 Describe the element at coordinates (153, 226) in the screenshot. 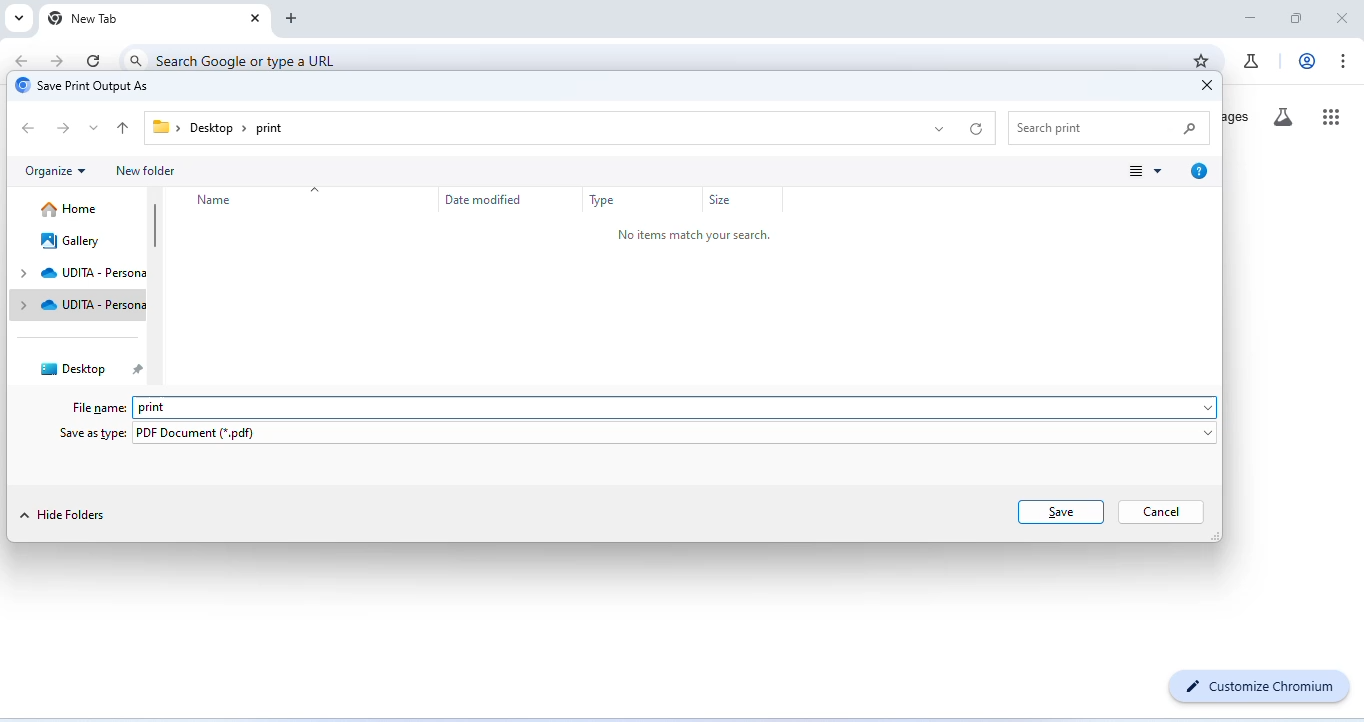

I see `vertical scroll bar` at that location.